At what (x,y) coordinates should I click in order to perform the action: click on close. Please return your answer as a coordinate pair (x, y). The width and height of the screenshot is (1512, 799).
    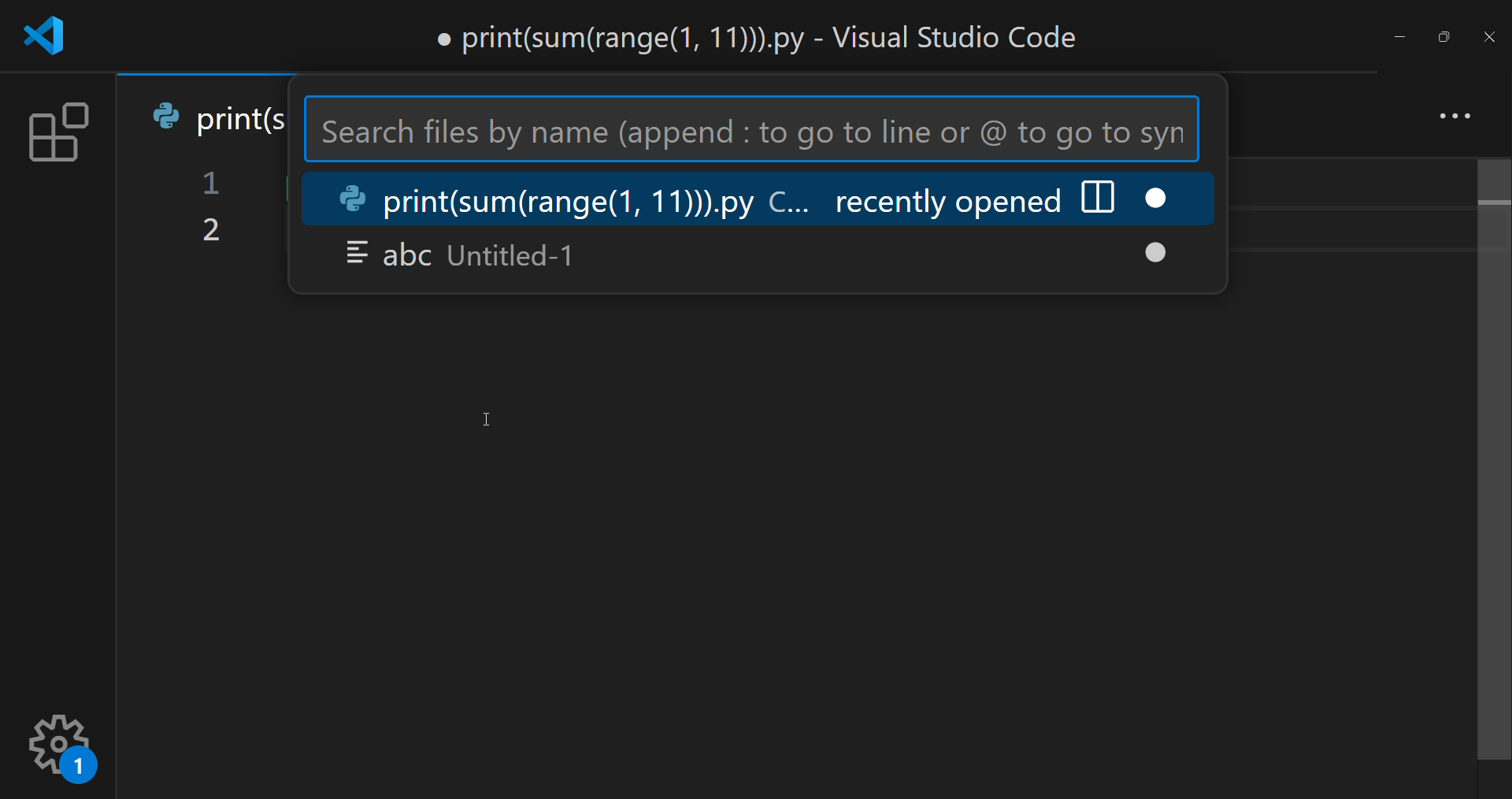
    Looking at the image, I should click on (1158, 255).